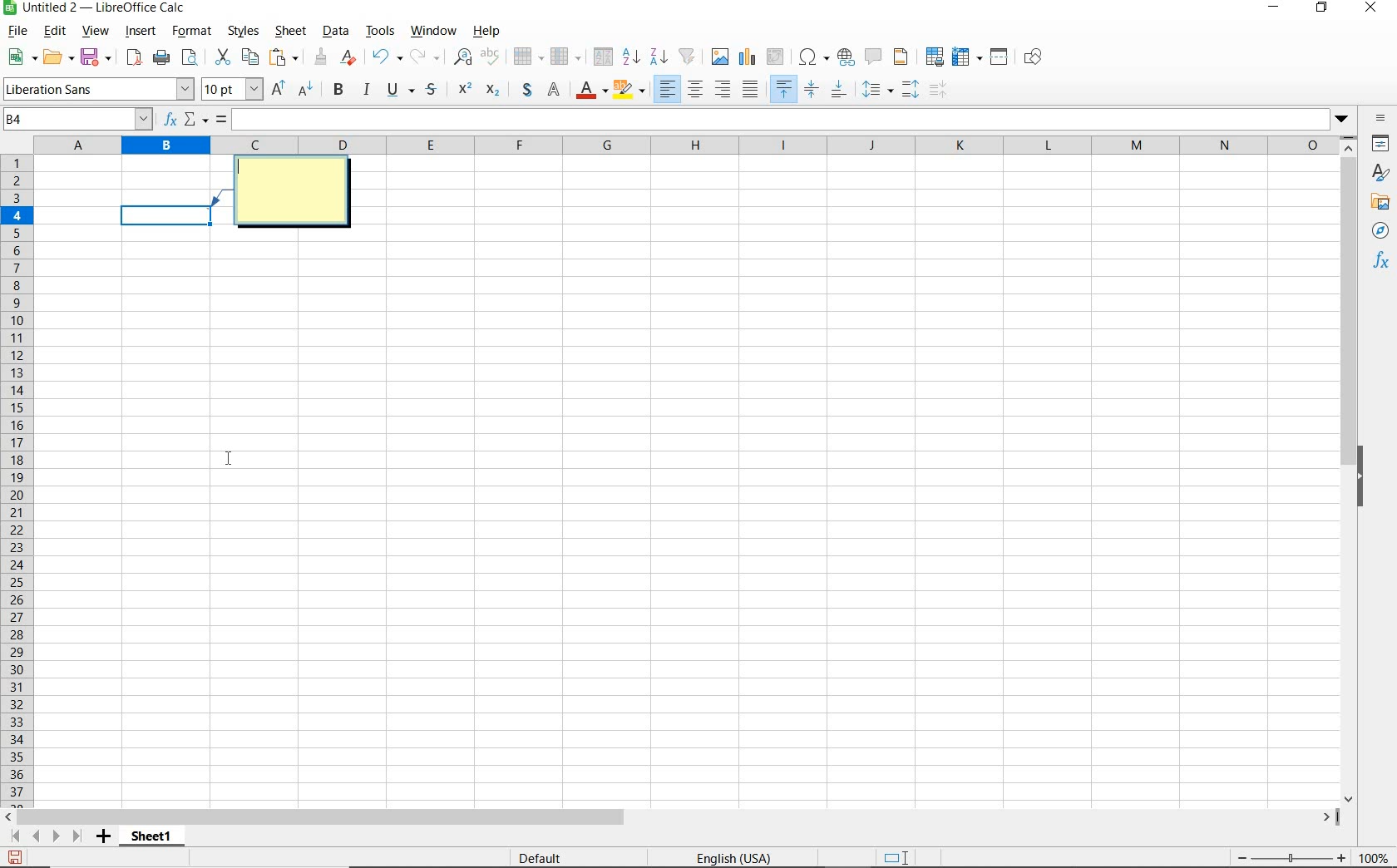  I want to click on formula, so click(220, 118).